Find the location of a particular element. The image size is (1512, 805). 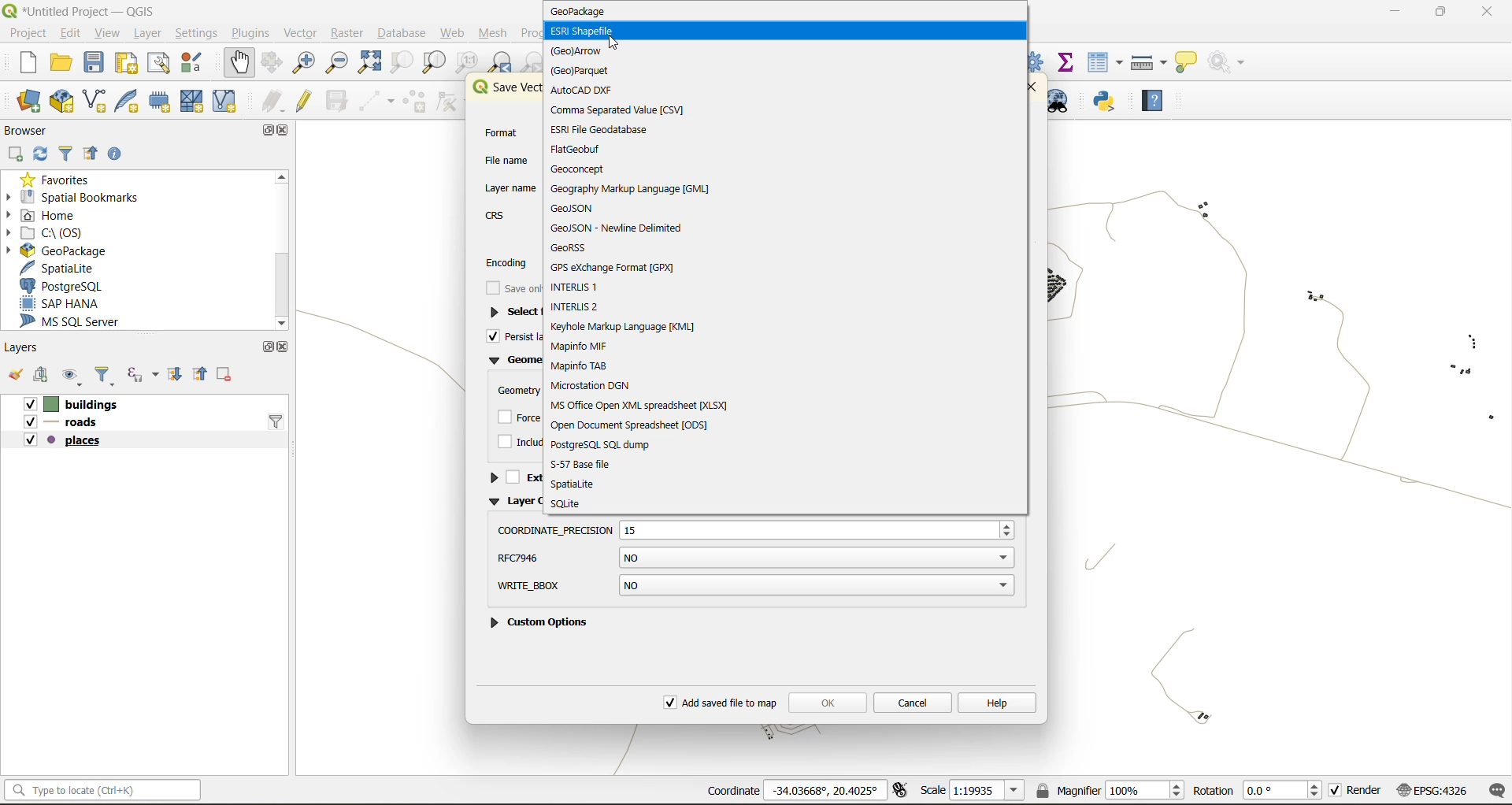

filter is located at coordinates (69, 153).